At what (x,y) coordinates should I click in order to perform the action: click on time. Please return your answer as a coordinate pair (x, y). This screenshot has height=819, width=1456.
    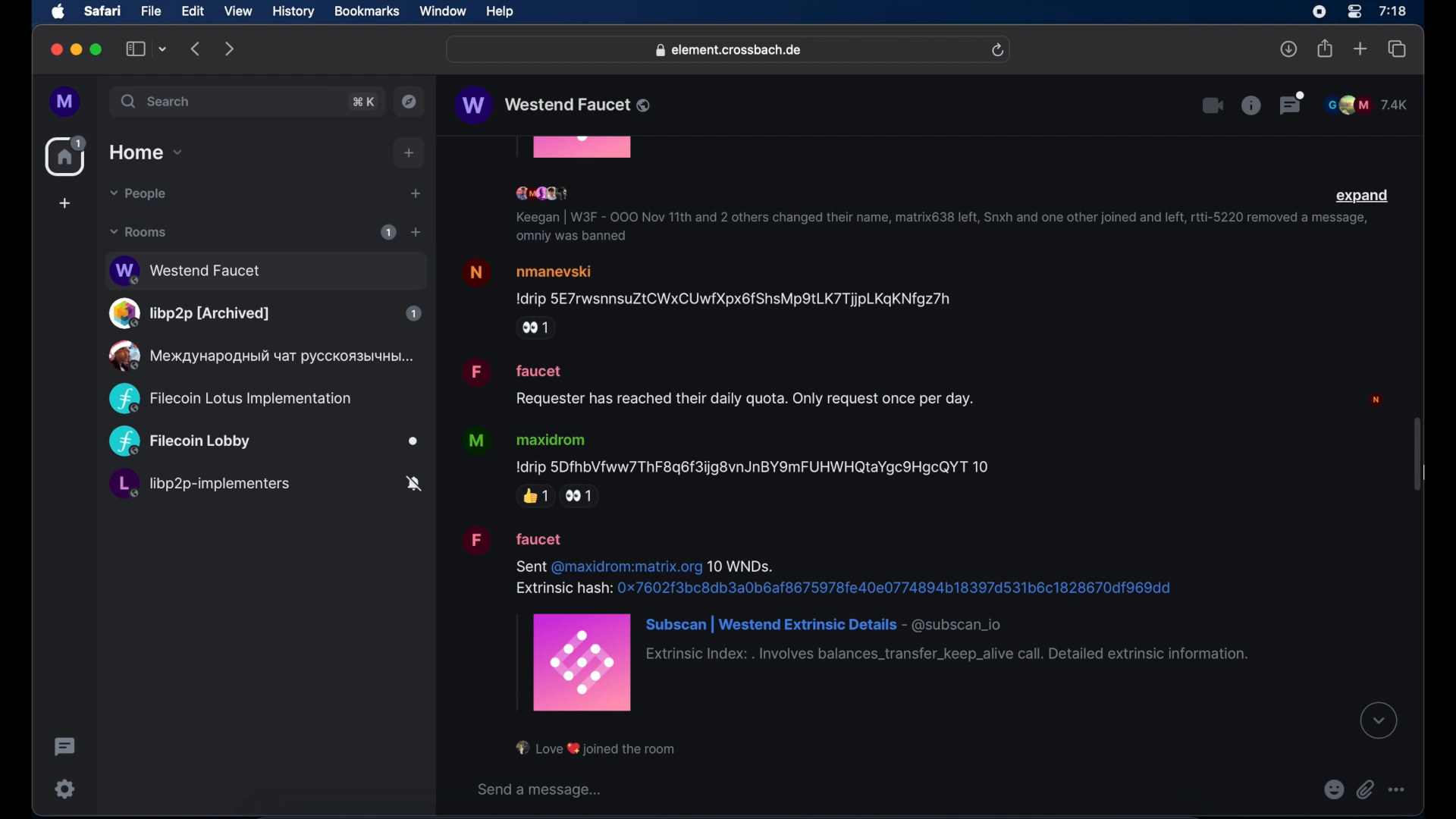
    Looking at the image, I should click on (1392, 11).